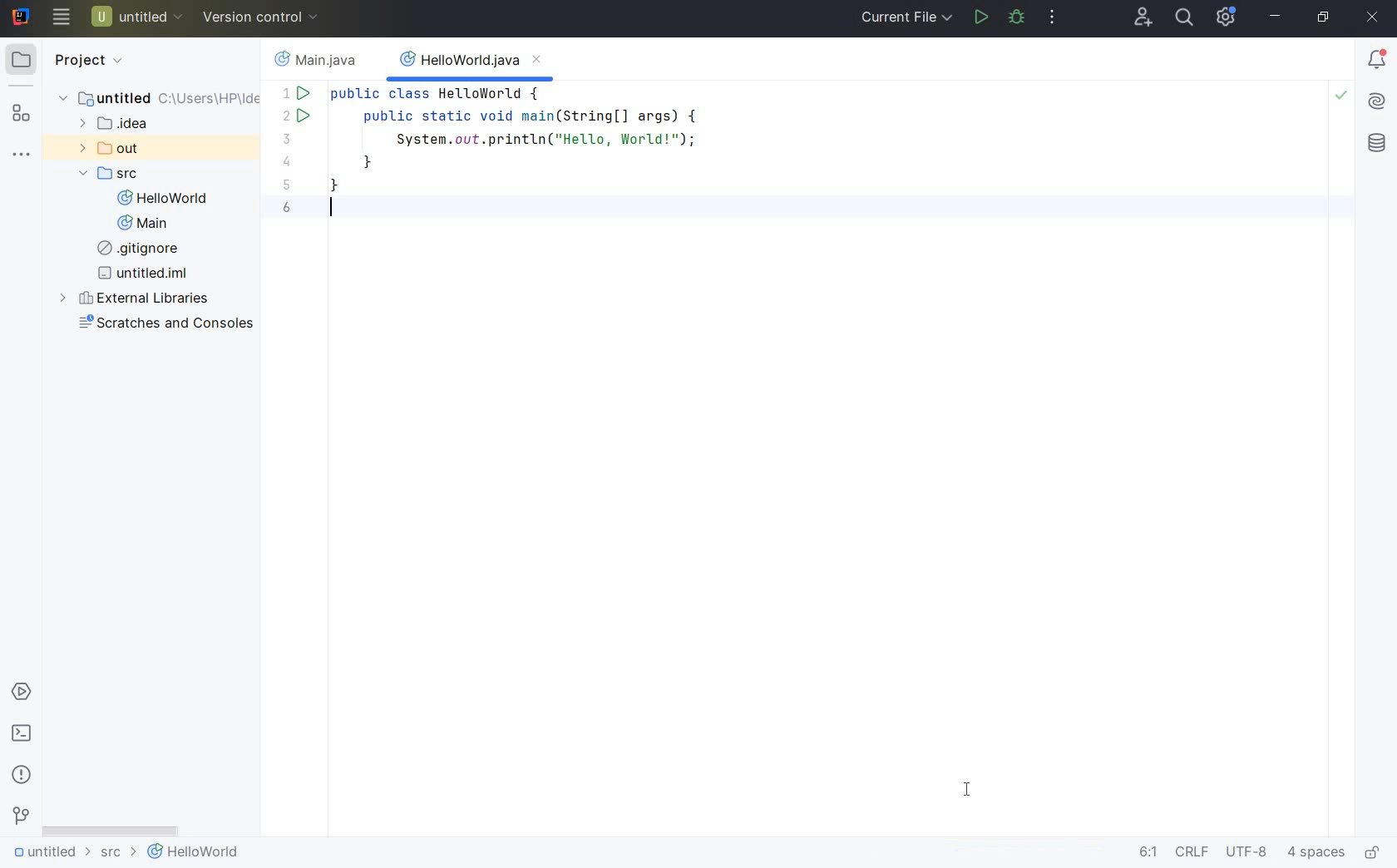 The image size is (1397, 868). Describe the element at coordinates (1144, 17) in the screenshot. I see `CODE WITH ME` at that location.